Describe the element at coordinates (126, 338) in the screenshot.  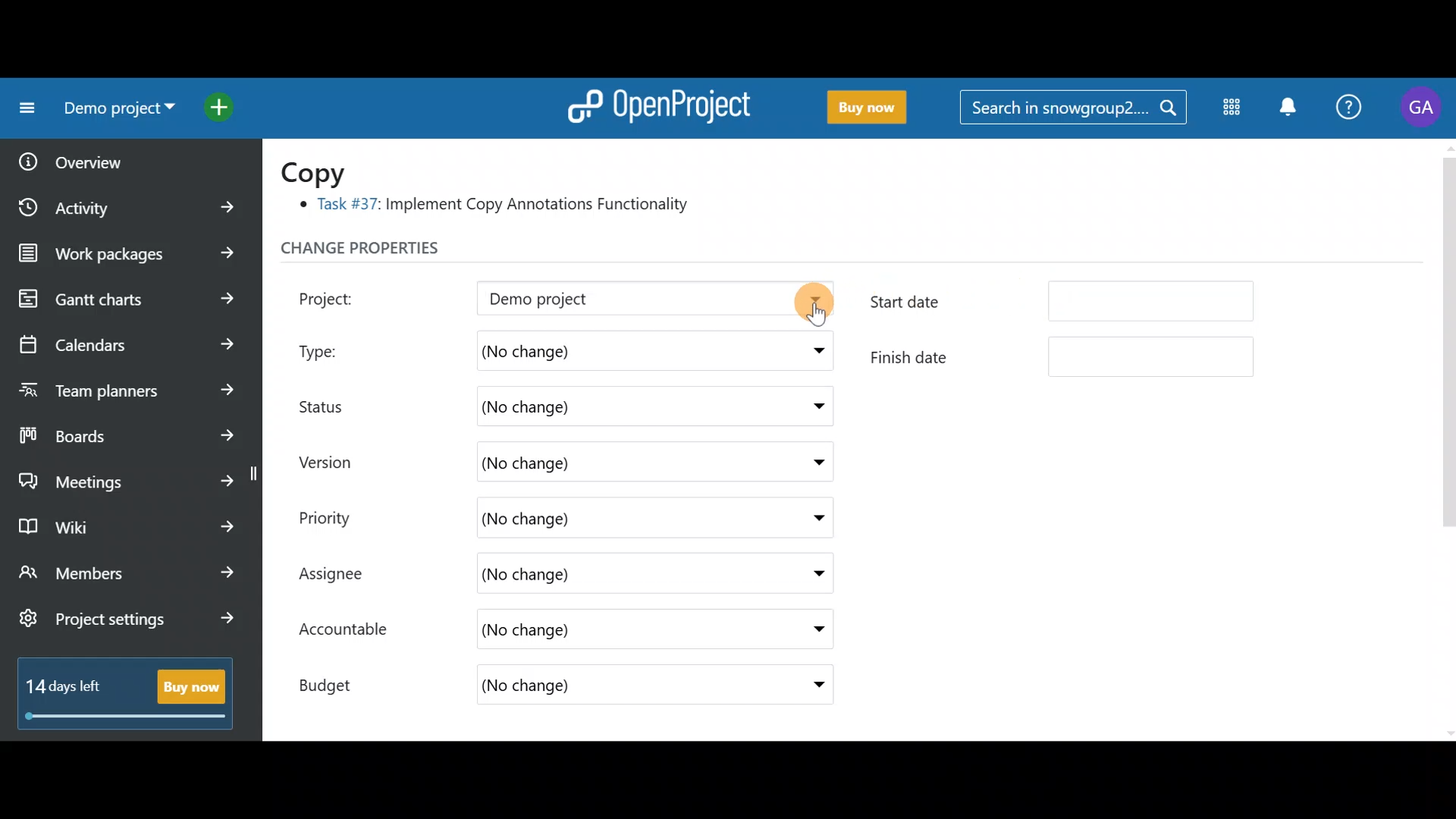
I see `Calendars` at that location.